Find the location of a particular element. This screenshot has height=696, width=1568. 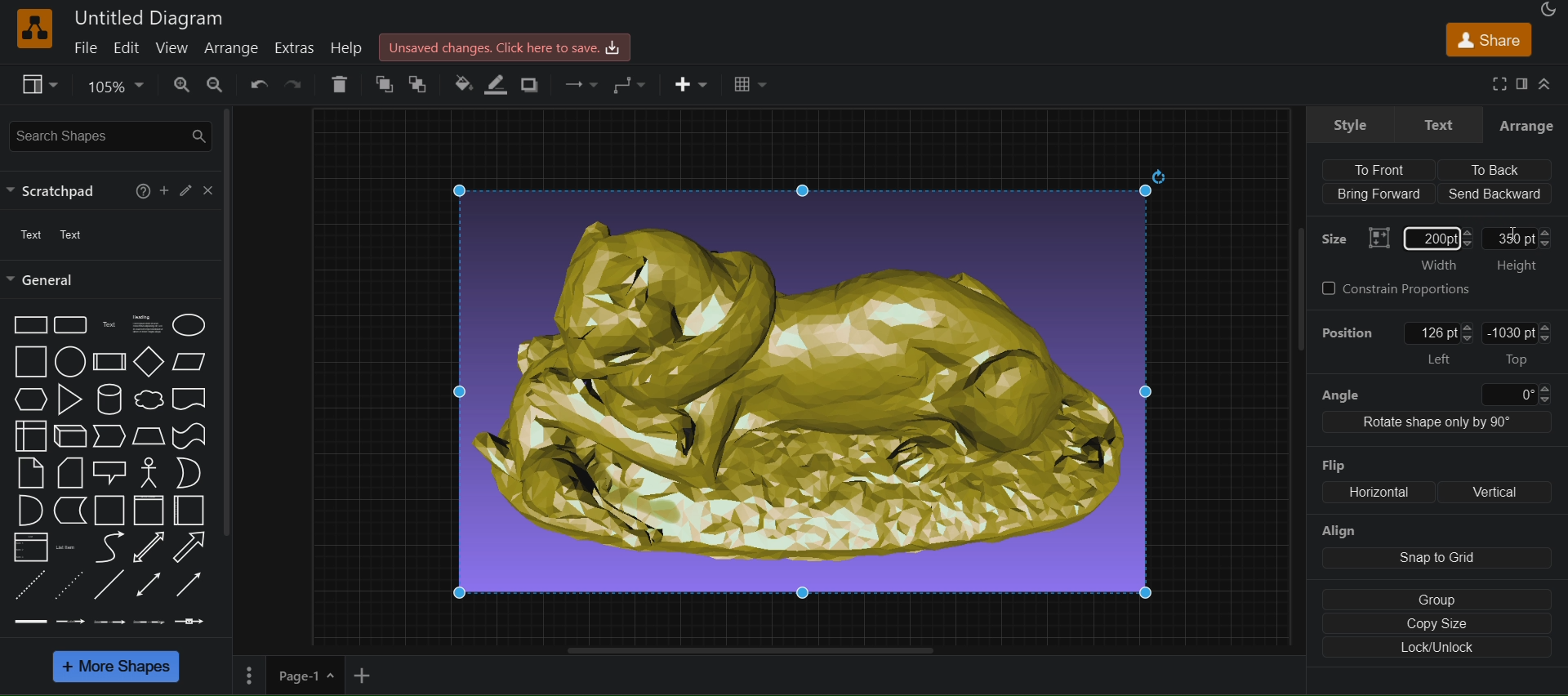

Align is located at coordinates (1340, 532).